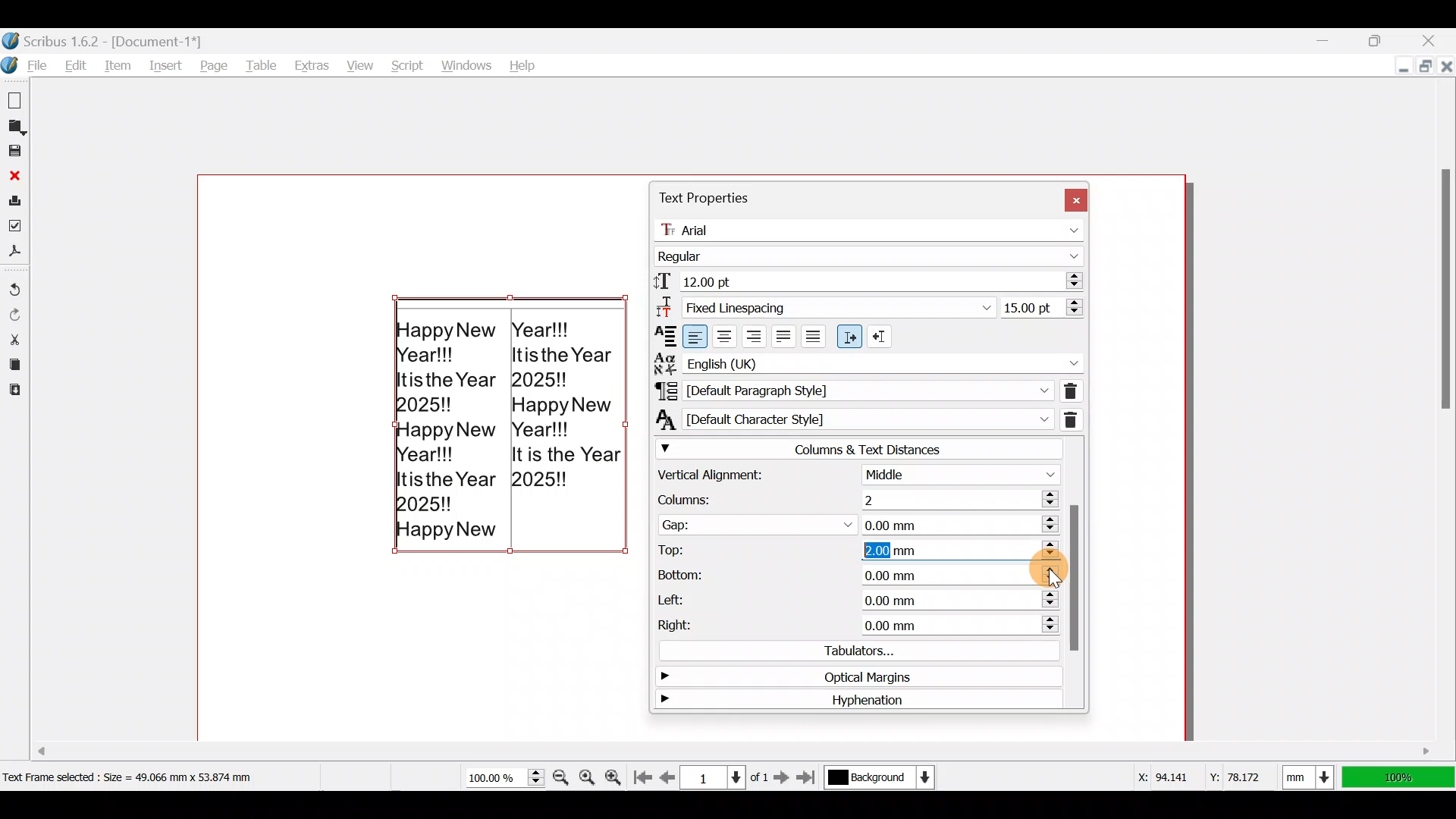 Image resolution: width=1456 pixels, height=819 pixels. Describe the element at coordinates (511, 436) in the screenshot. I see `Happy New Year` at that location.